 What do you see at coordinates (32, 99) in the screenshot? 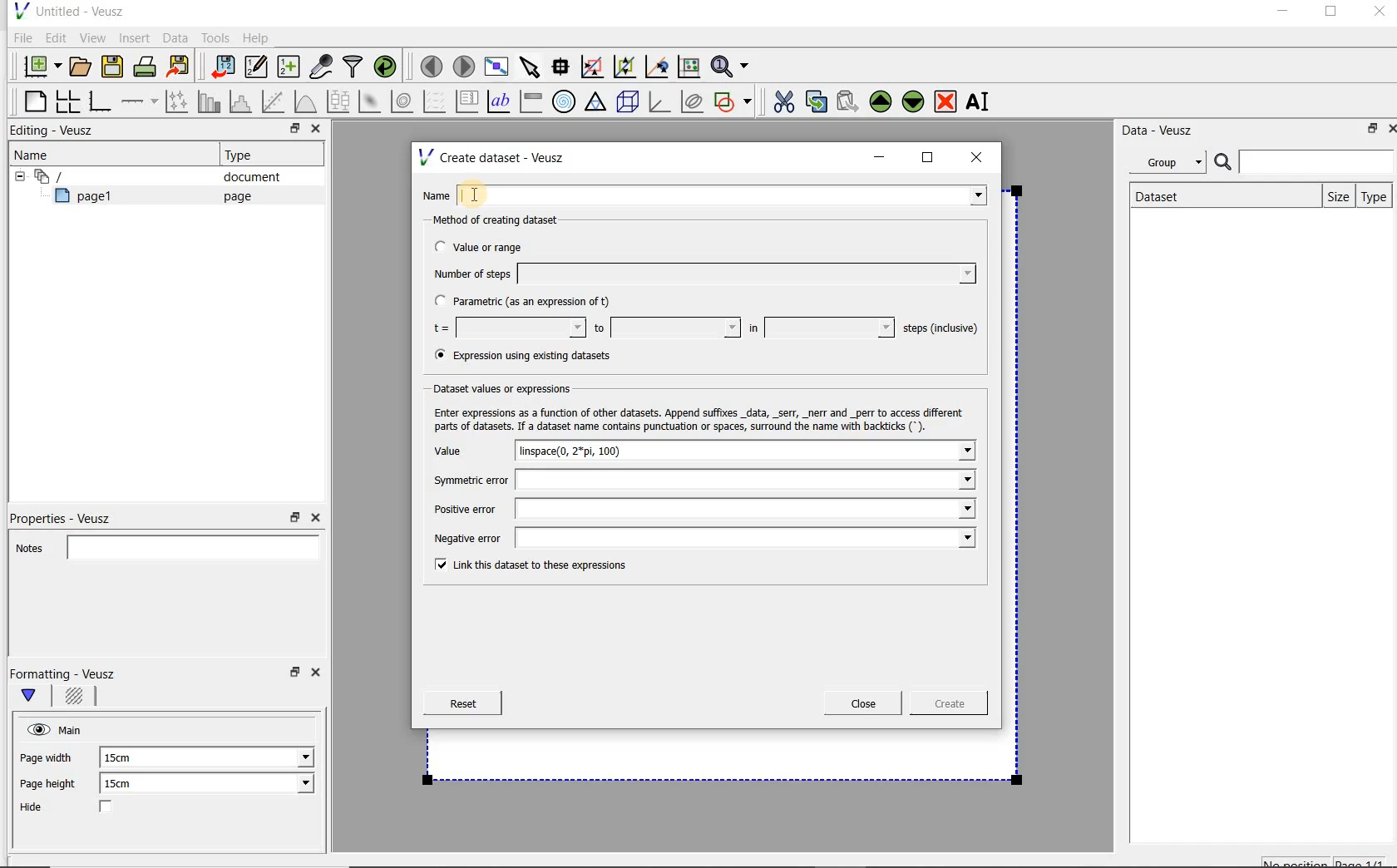
I see `blank page` at bounding box center [32, 99].